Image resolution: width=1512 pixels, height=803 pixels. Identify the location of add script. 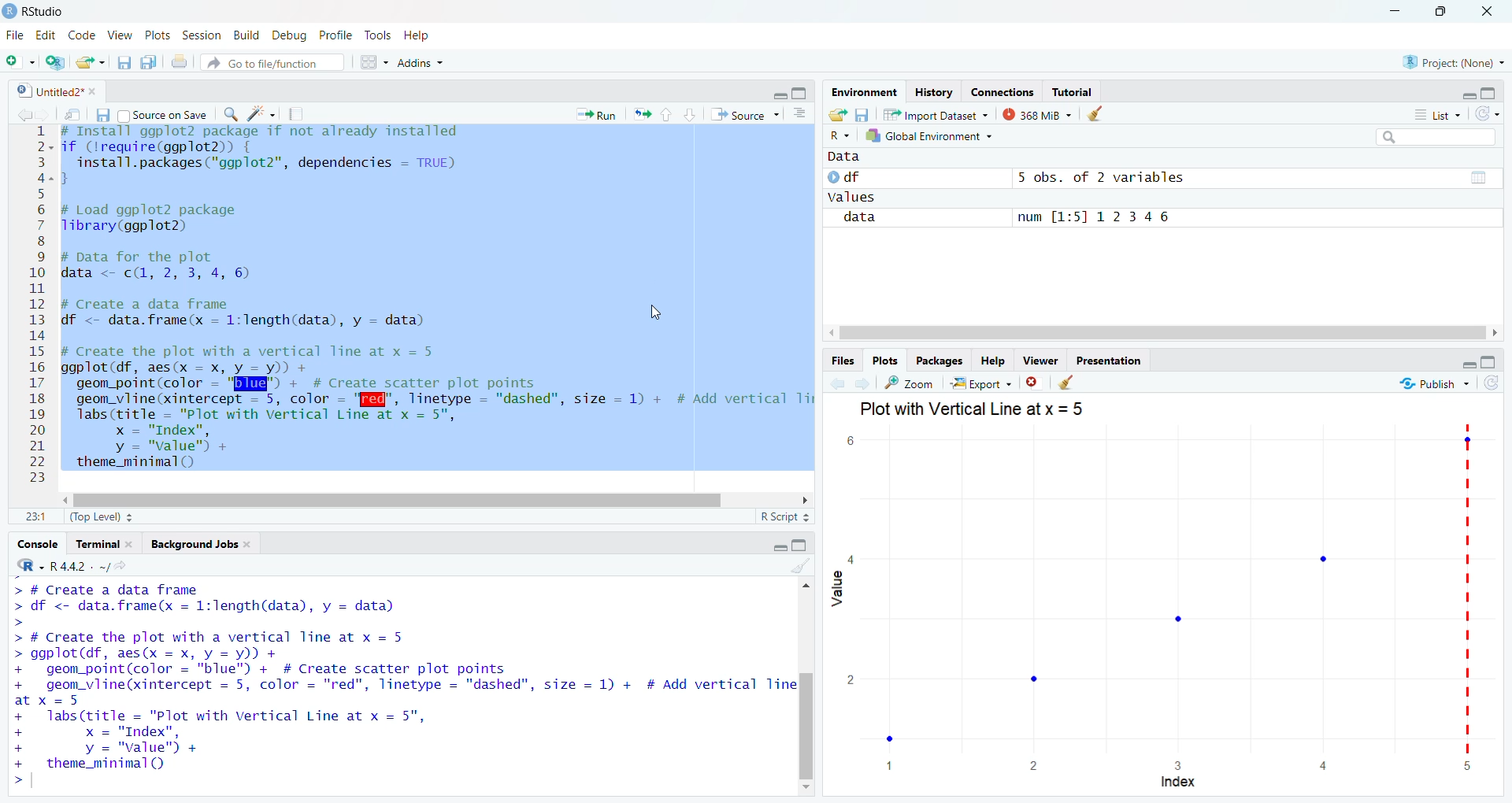
(56, 62).